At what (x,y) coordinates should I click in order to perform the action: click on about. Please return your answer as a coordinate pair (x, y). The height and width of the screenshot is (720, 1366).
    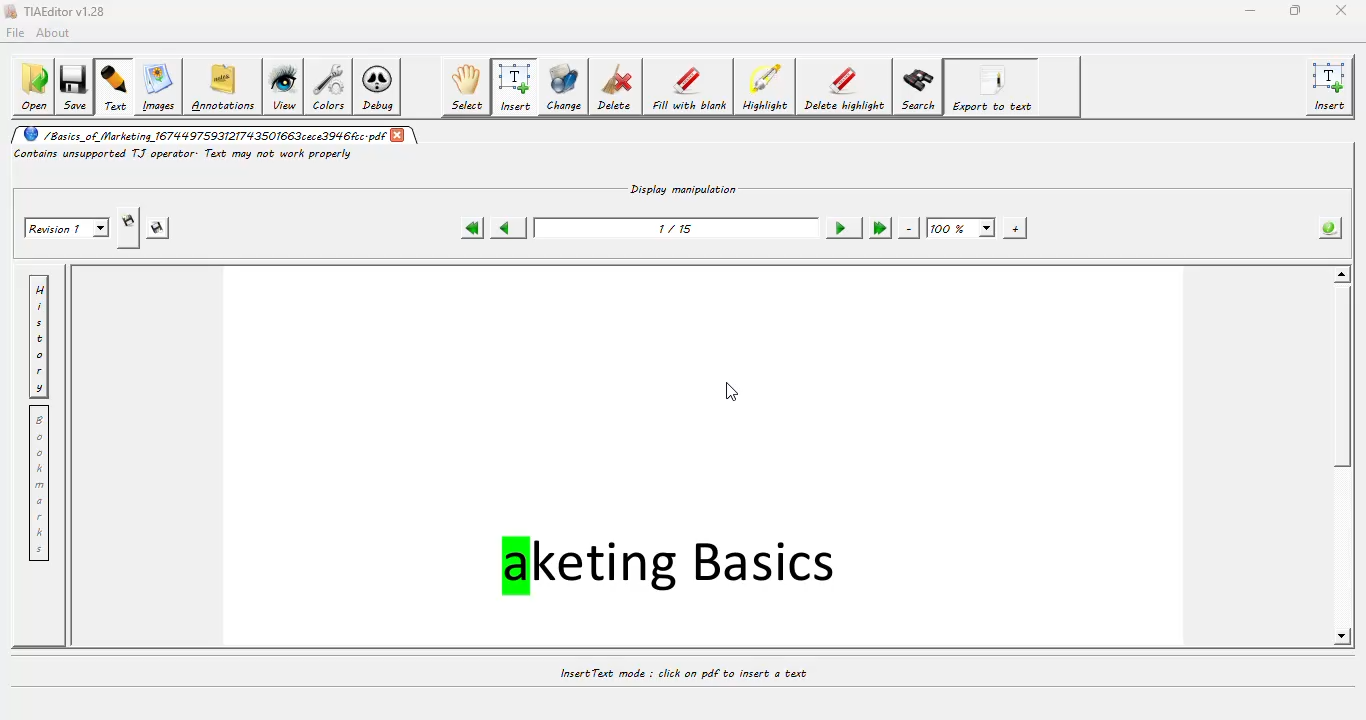
    Looking at the image, I should click on (56, 32).